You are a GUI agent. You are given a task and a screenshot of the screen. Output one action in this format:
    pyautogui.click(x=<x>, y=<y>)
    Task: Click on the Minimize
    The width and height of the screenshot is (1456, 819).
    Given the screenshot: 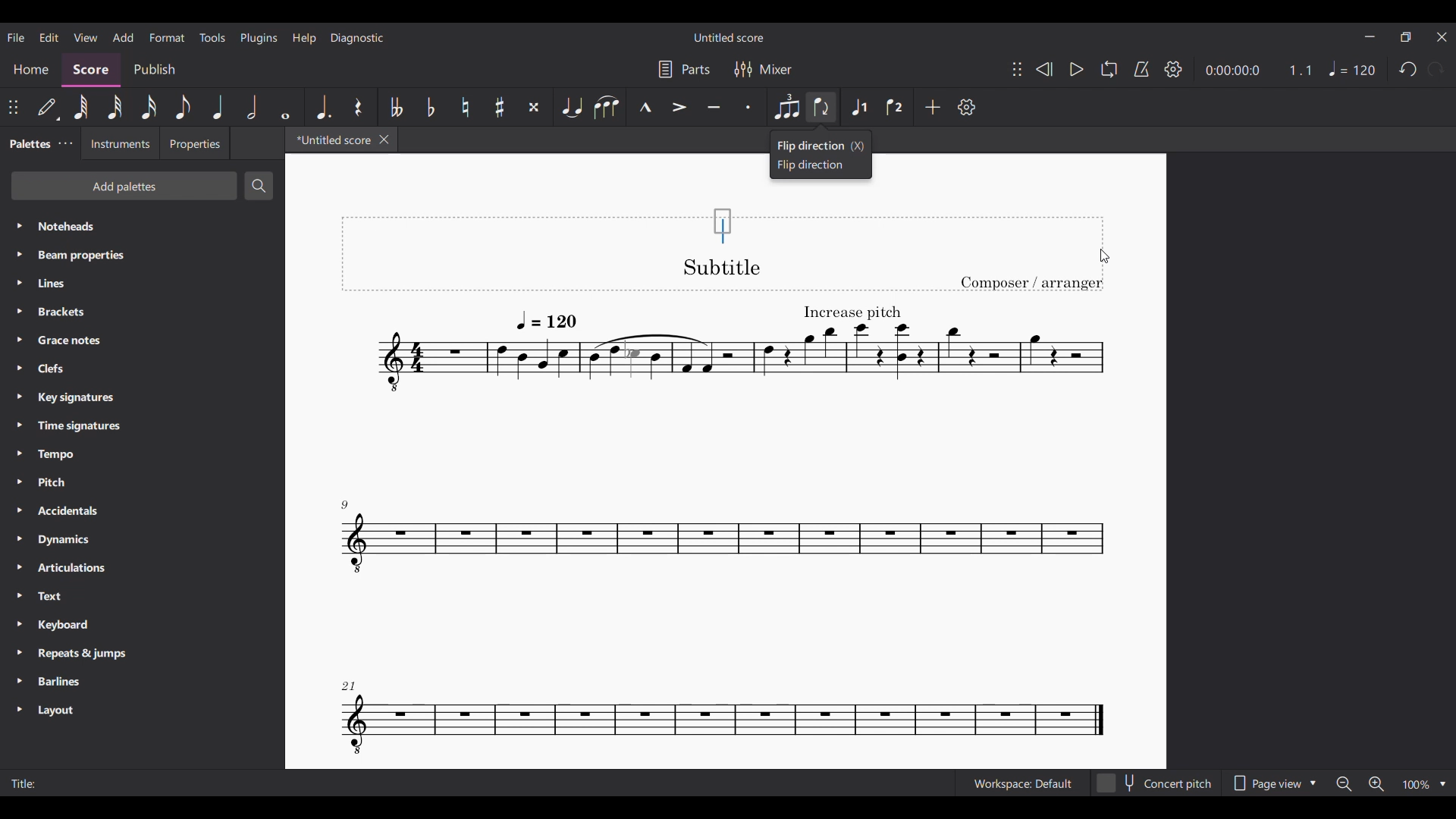 What is the action you would take?
    pyautogui.click(x=1370, y=36)
    